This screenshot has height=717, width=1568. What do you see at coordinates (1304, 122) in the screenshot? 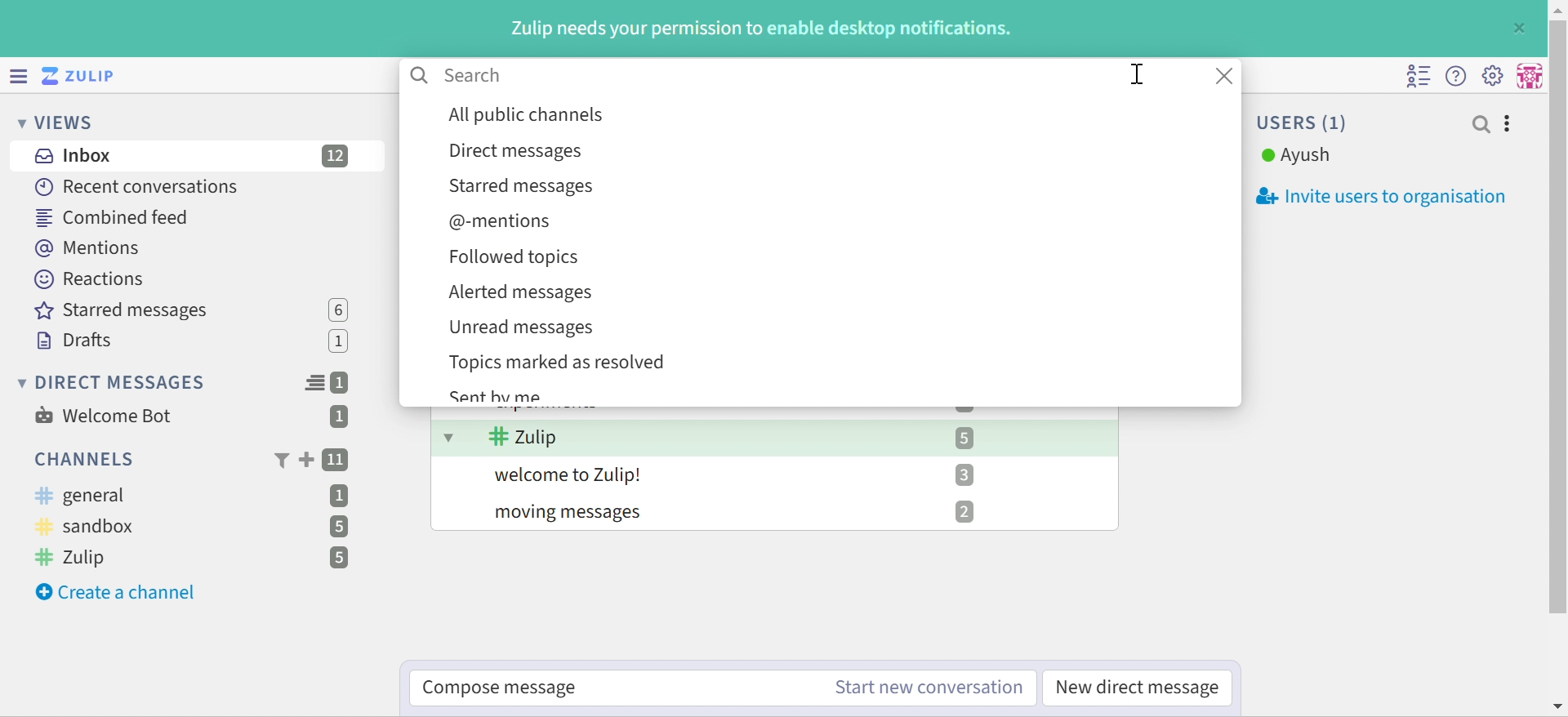
I see `USERS(1)` at bounding box center [1304, 122].